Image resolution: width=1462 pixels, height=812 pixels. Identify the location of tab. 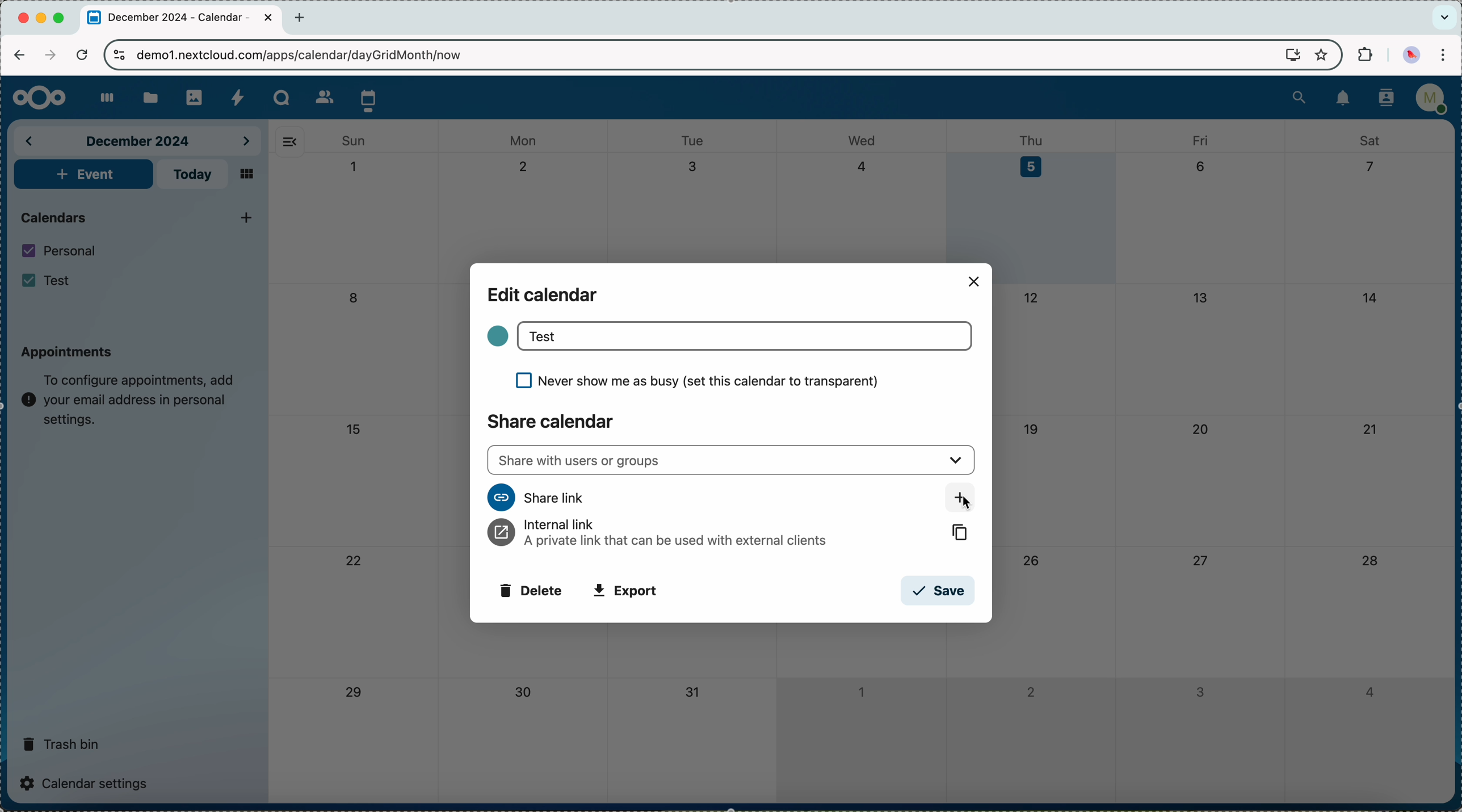
(182, 19).